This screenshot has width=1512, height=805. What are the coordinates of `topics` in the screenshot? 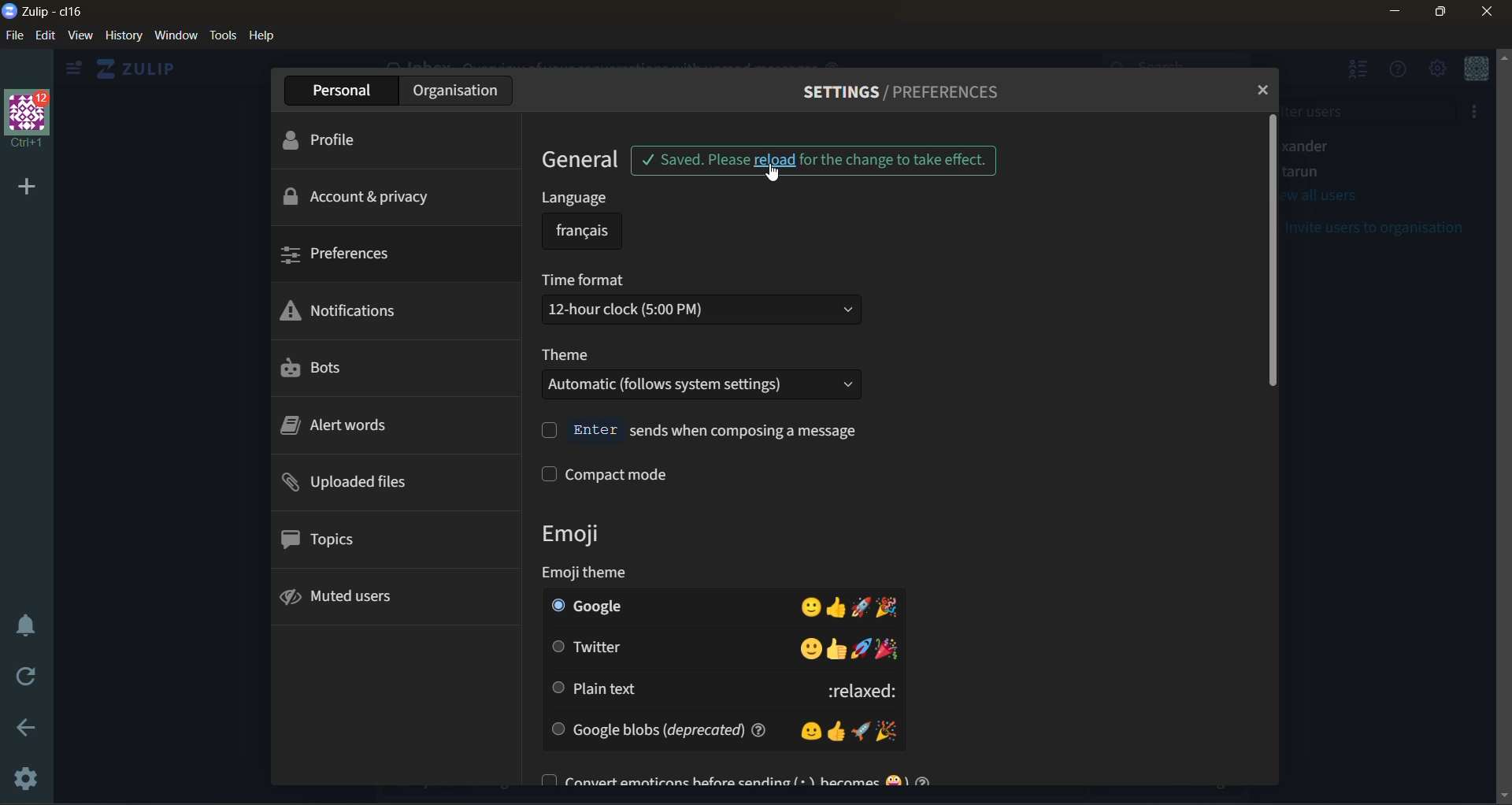 It's located at (330, 542).